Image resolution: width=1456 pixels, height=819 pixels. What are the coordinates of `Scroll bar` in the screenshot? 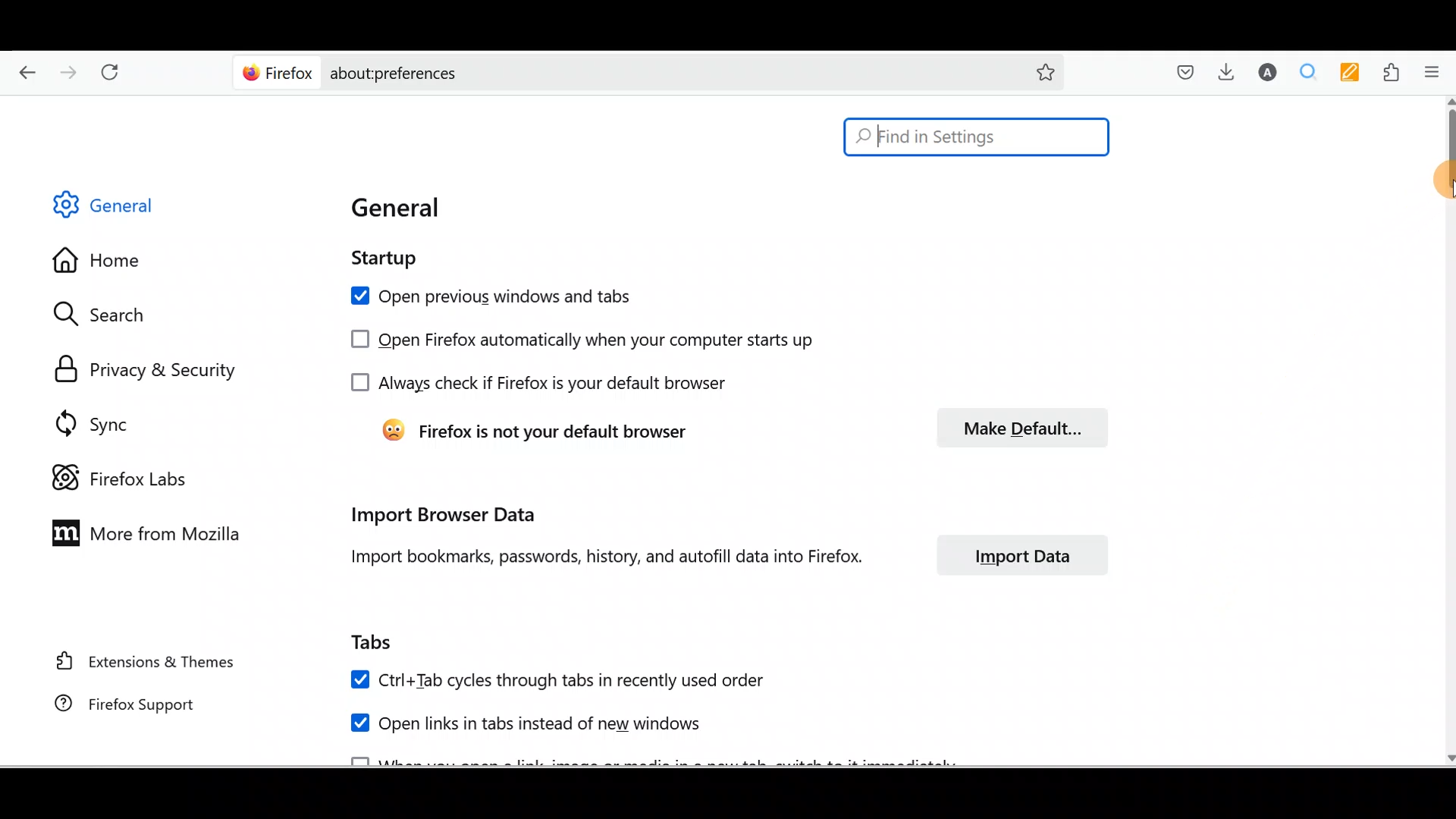 It's located at (1445, 431).